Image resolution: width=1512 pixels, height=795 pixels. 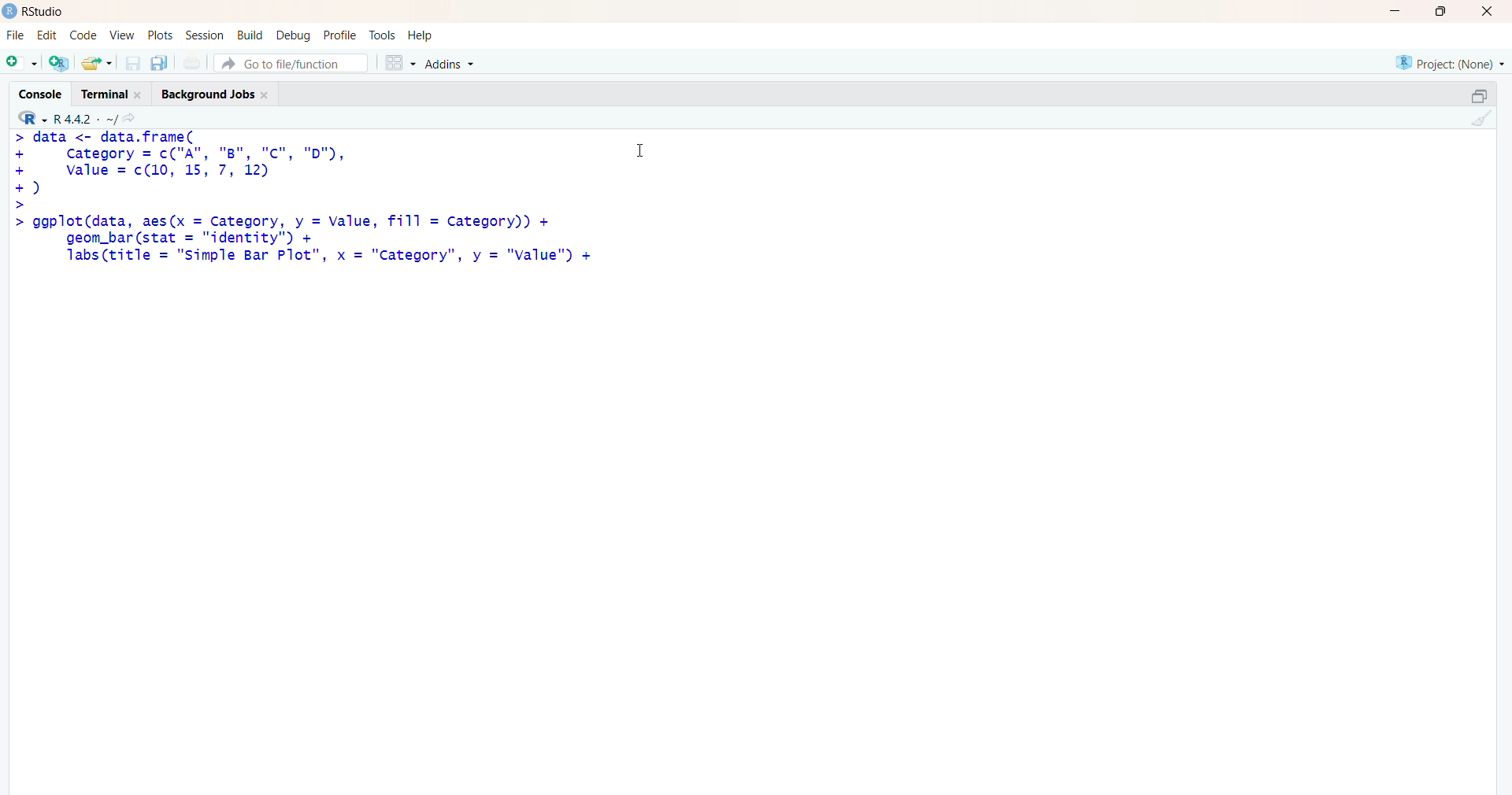 I want to click on open an existing file, so click(x=96, y=62).